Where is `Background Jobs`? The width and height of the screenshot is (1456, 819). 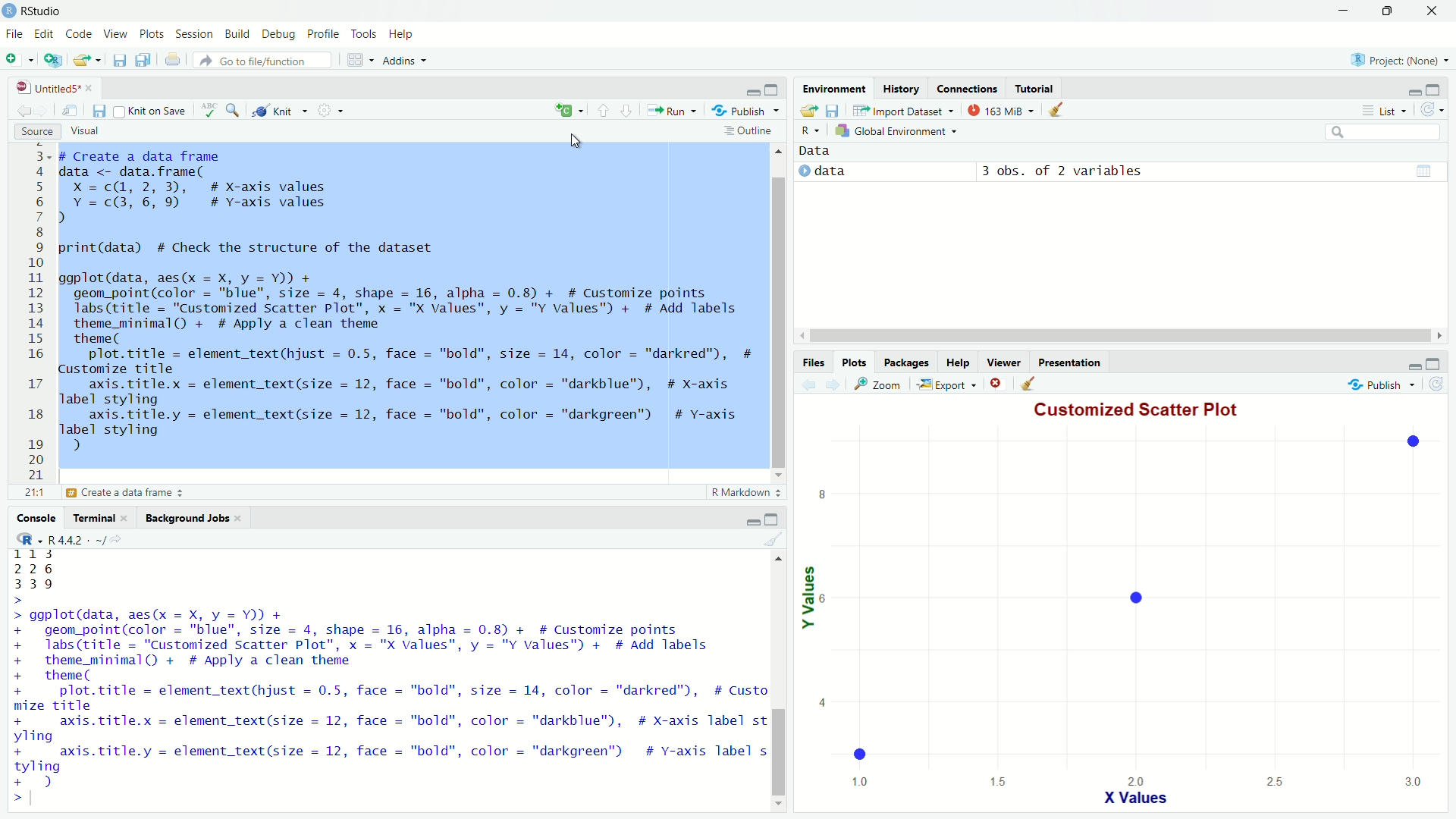 Background Jobs is located at coordinates (192, 519).